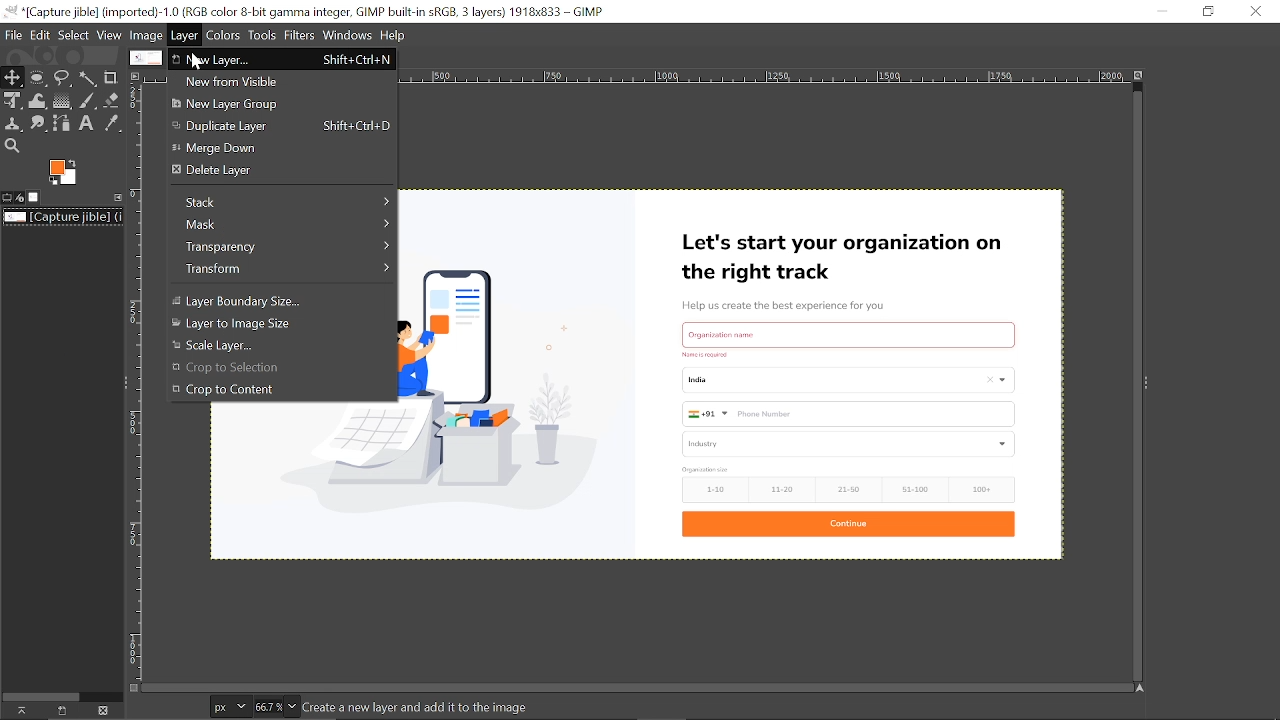 The height and width of the screenshot is (720, 1280). What do you see at coordinates (7, 198) in the screenshot?
I see `Tool options` at bounding box center [7, 198].